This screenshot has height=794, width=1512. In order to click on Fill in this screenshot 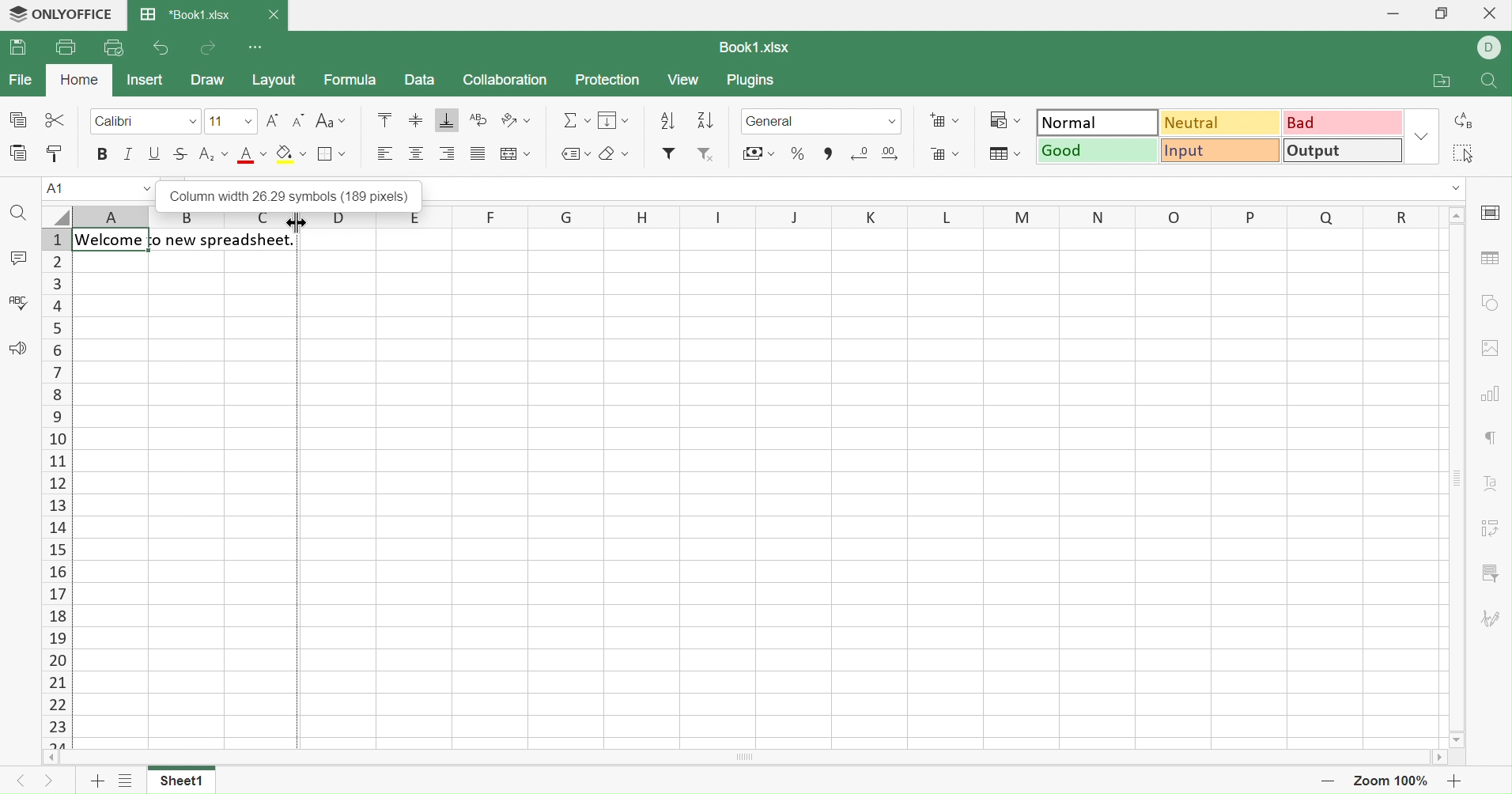, I will do `click(615, 119)`.